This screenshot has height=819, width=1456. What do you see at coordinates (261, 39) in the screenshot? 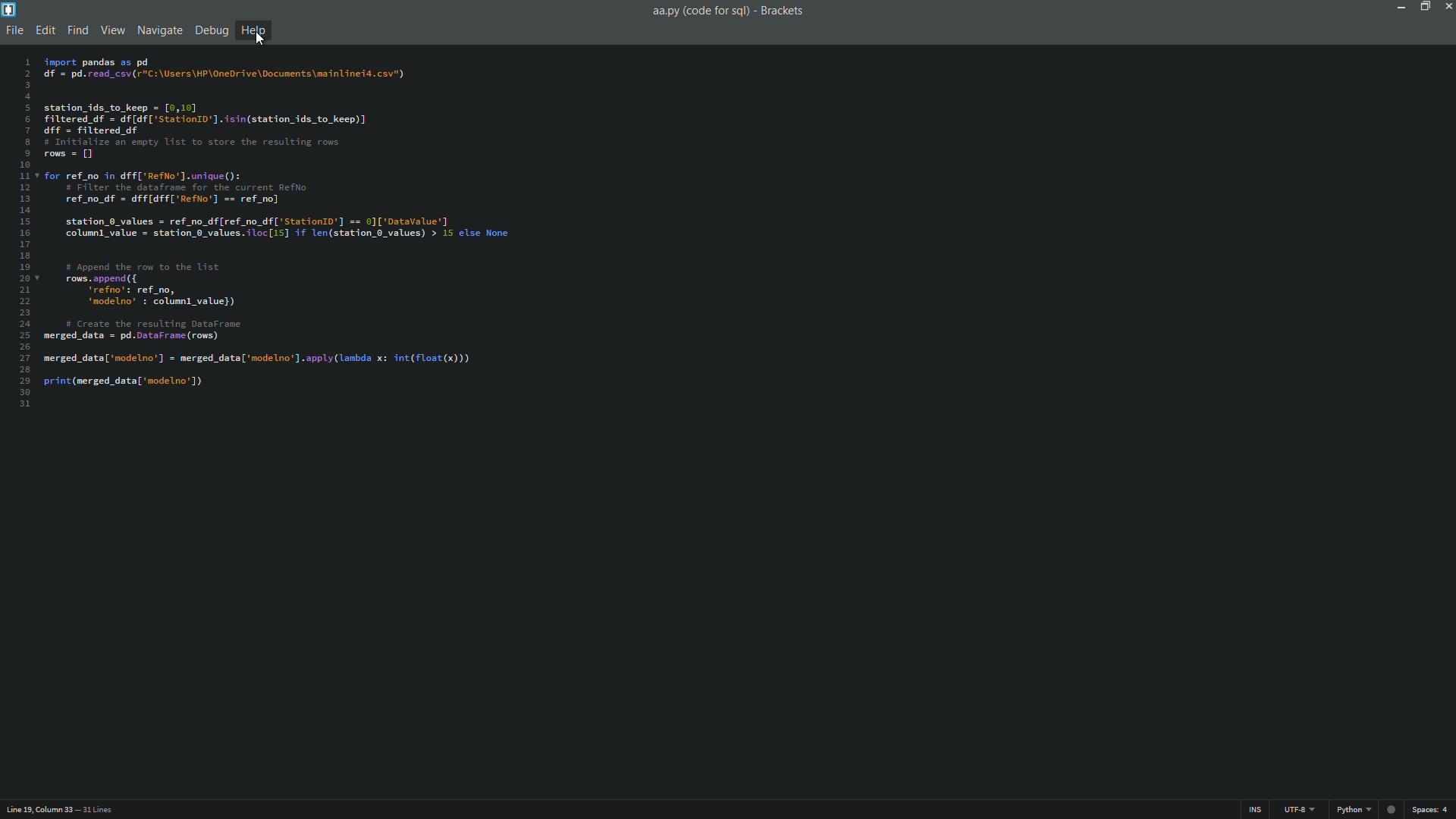
I see `Cursor` at bounding box center [261, 39].